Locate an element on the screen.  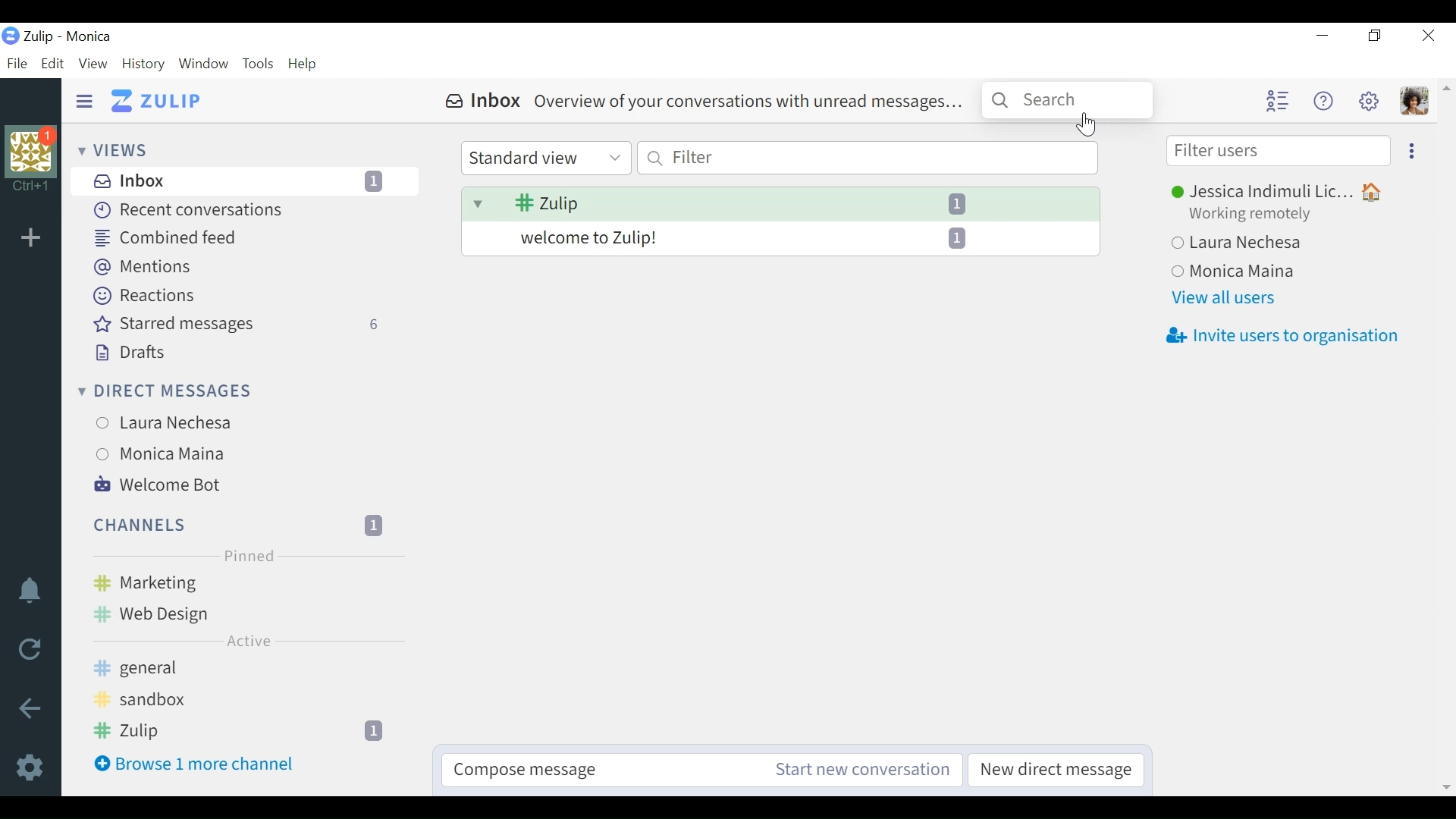
Laura Nechesa is located at coordinates (207, 422).